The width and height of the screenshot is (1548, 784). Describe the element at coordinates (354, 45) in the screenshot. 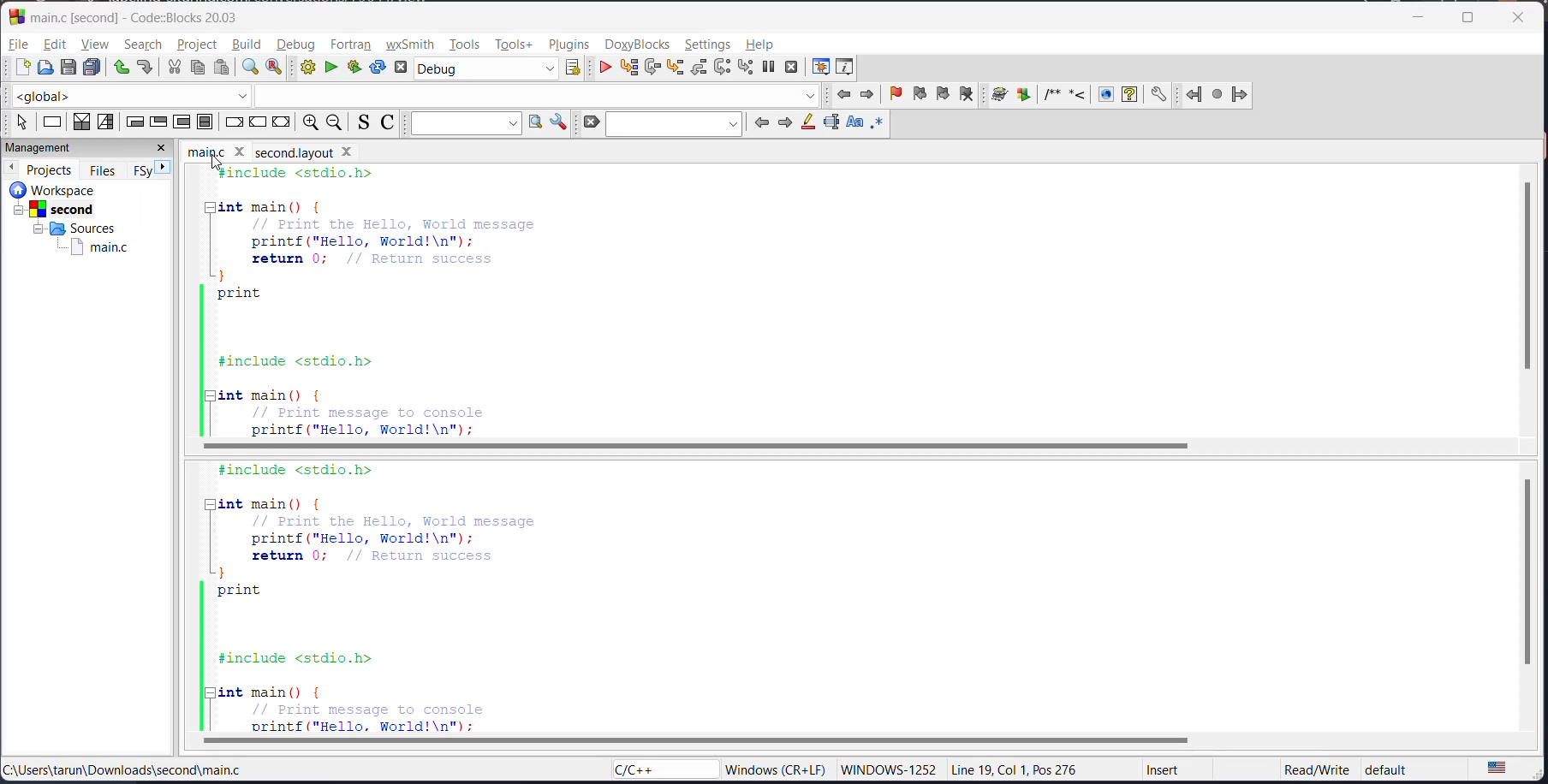

I see `fortran` at that location.